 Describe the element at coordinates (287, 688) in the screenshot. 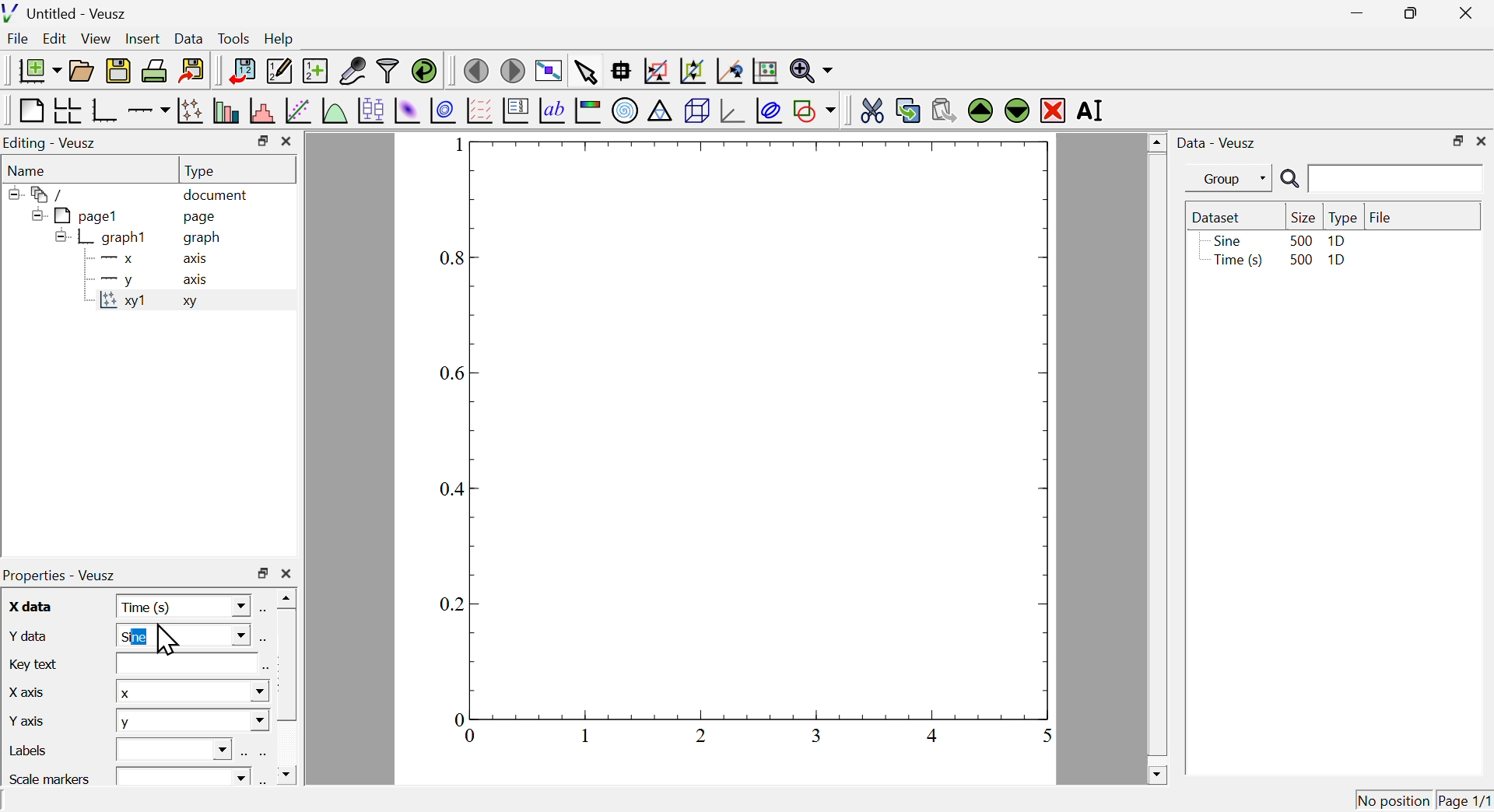

I see `scrollbar` at that location.